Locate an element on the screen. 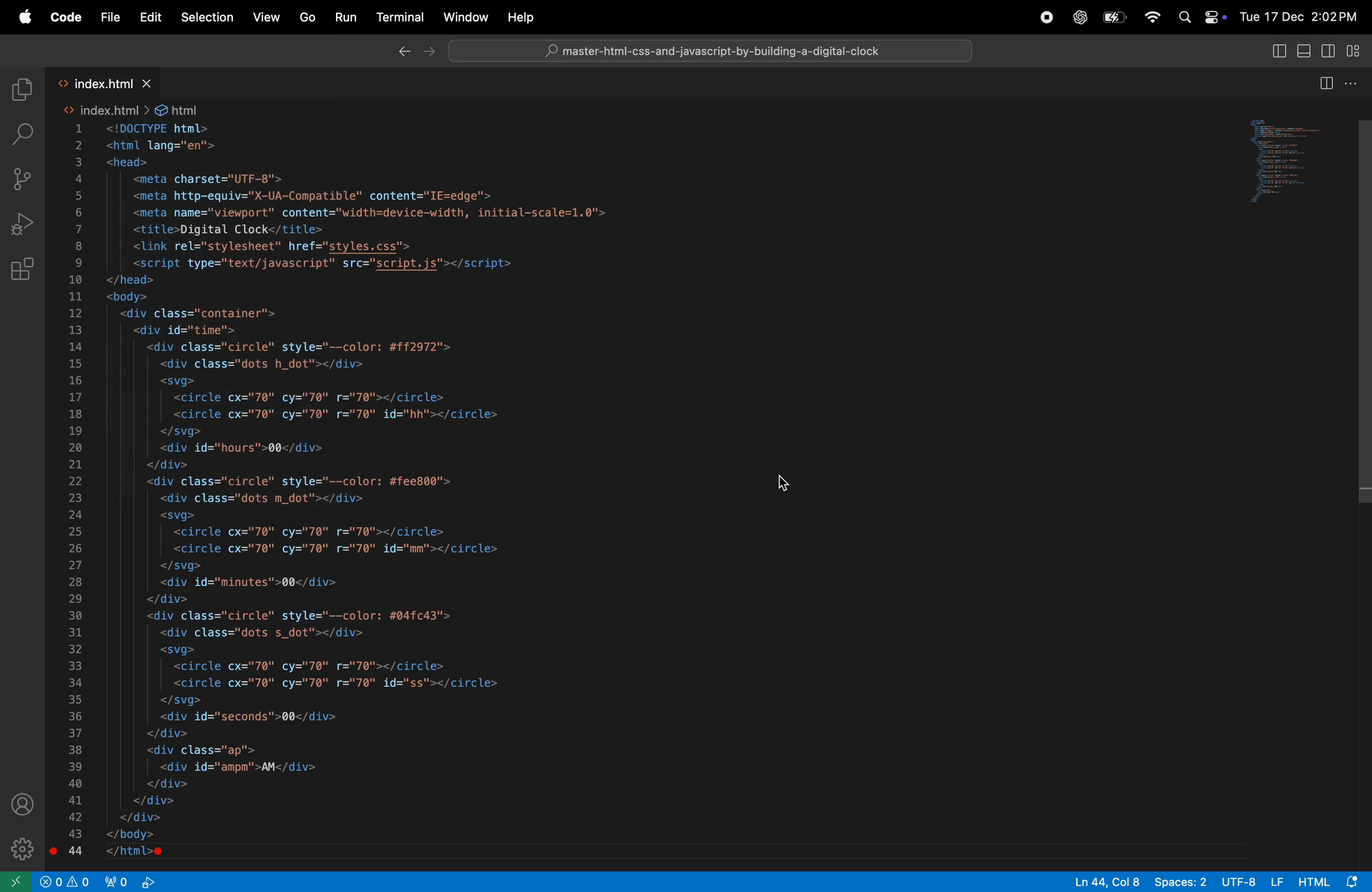  go is located at coordinates (309, 18).